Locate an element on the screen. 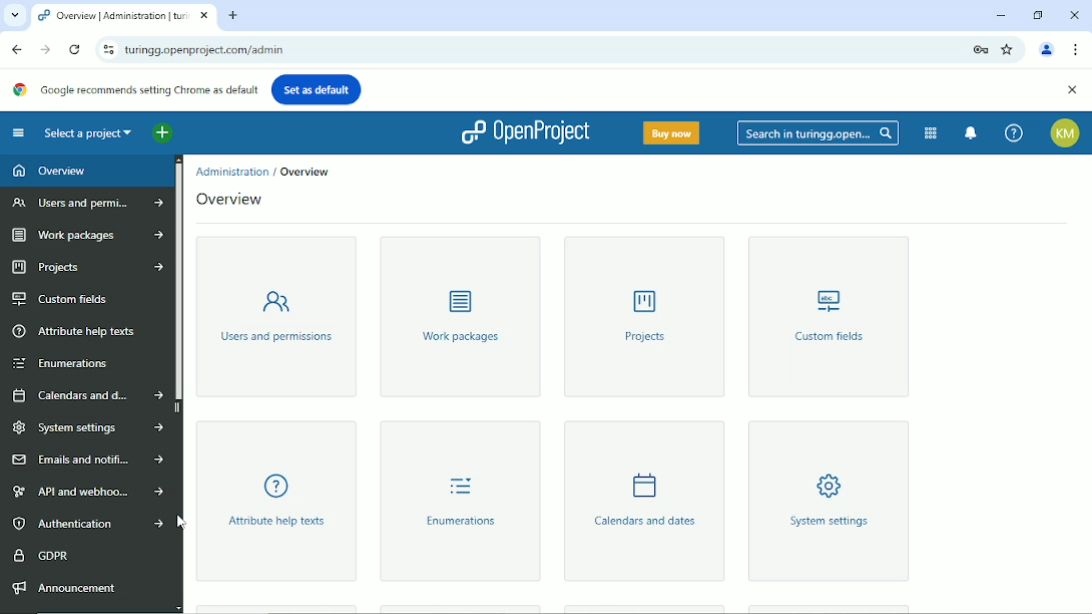  Overview is located at coordinates (232, 201).